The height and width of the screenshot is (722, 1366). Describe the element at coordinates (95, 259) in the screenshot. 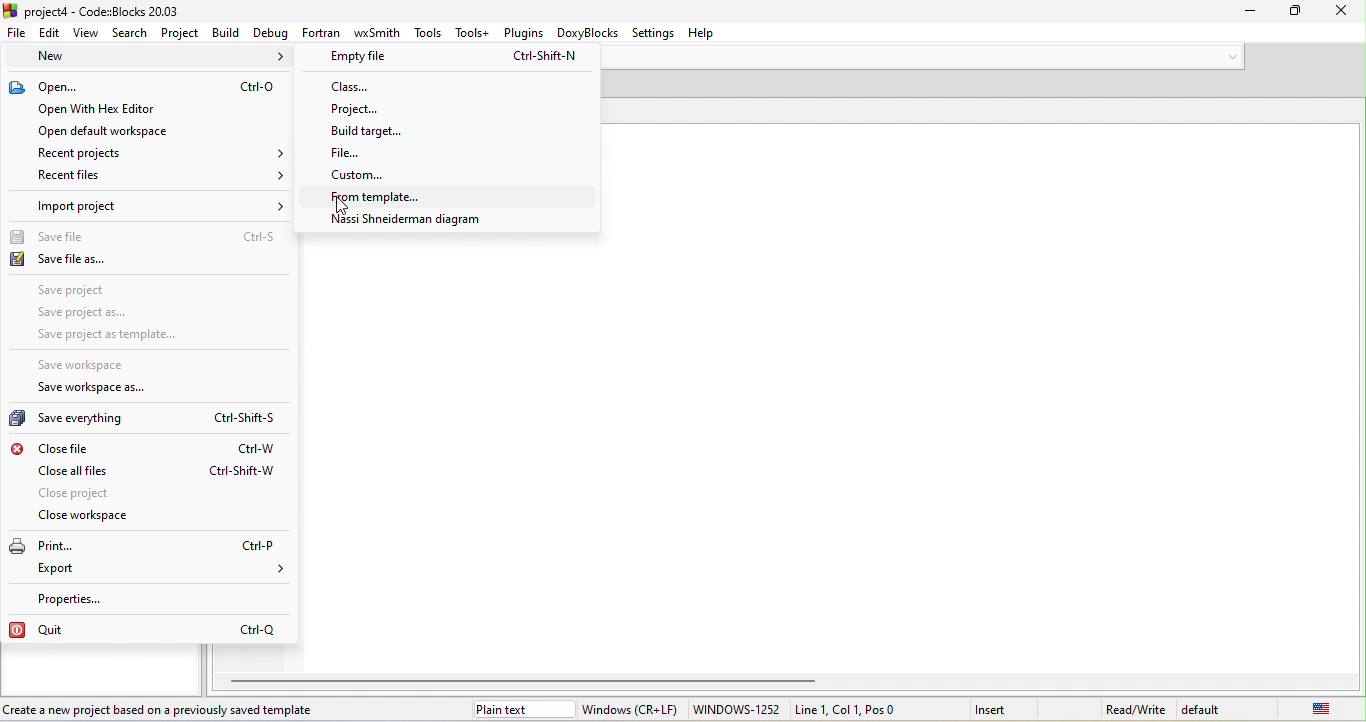

I see `save file as` at that location.